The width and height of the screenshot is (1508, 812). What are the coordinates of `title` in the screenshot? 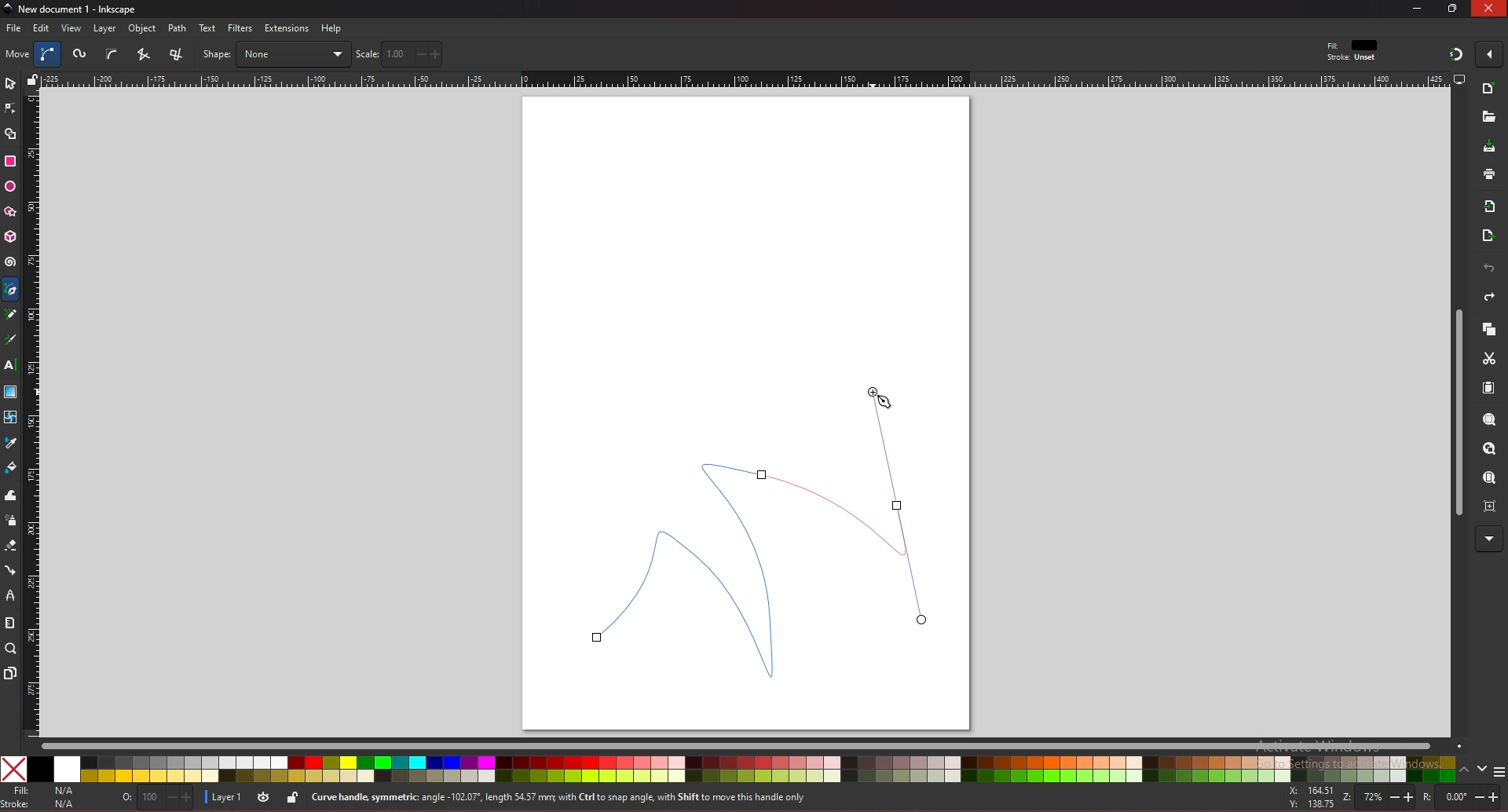 It's located at (72, 8).